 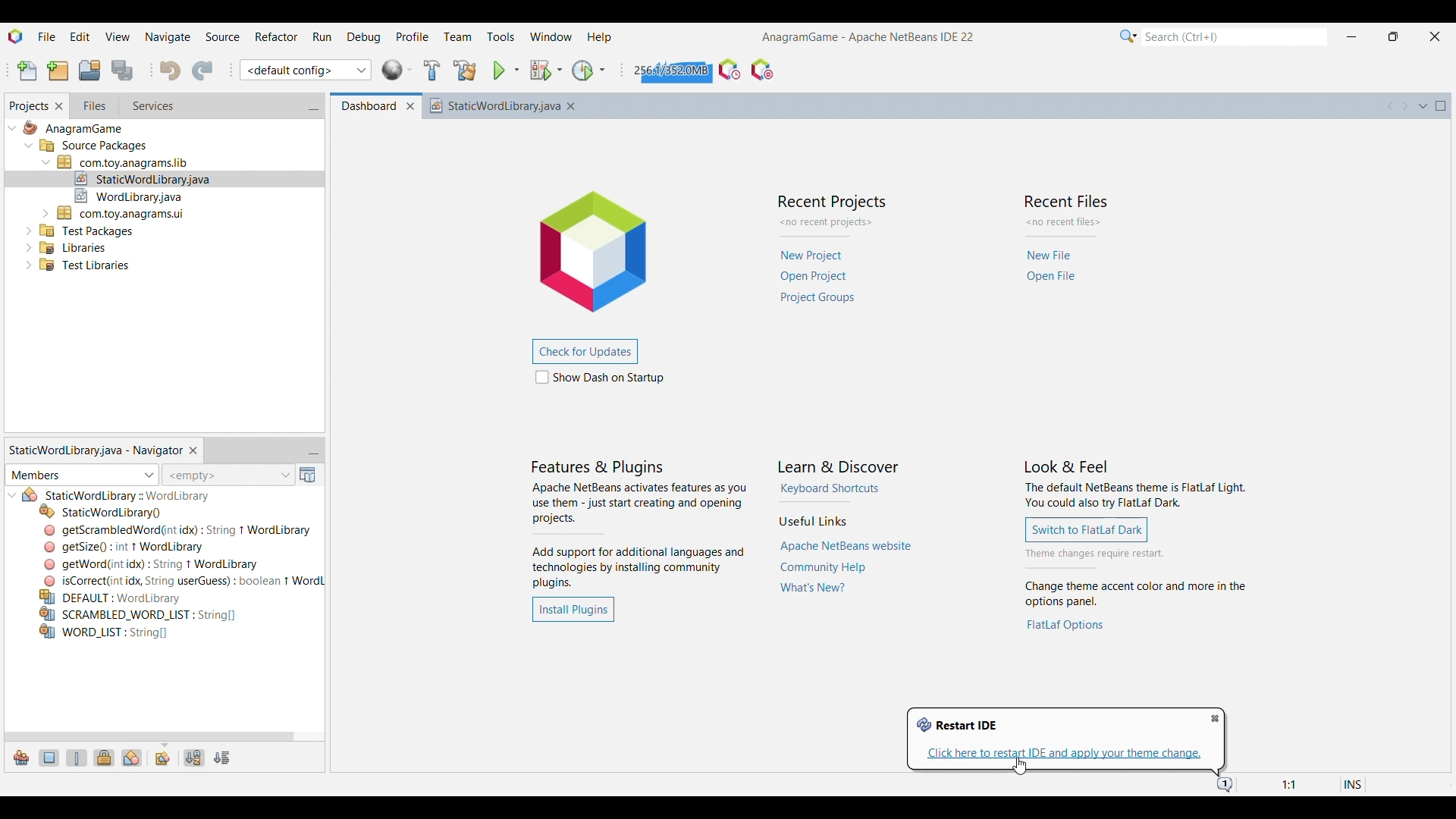 I want to click on Dashboard tab added, so click(x=365, y=106).